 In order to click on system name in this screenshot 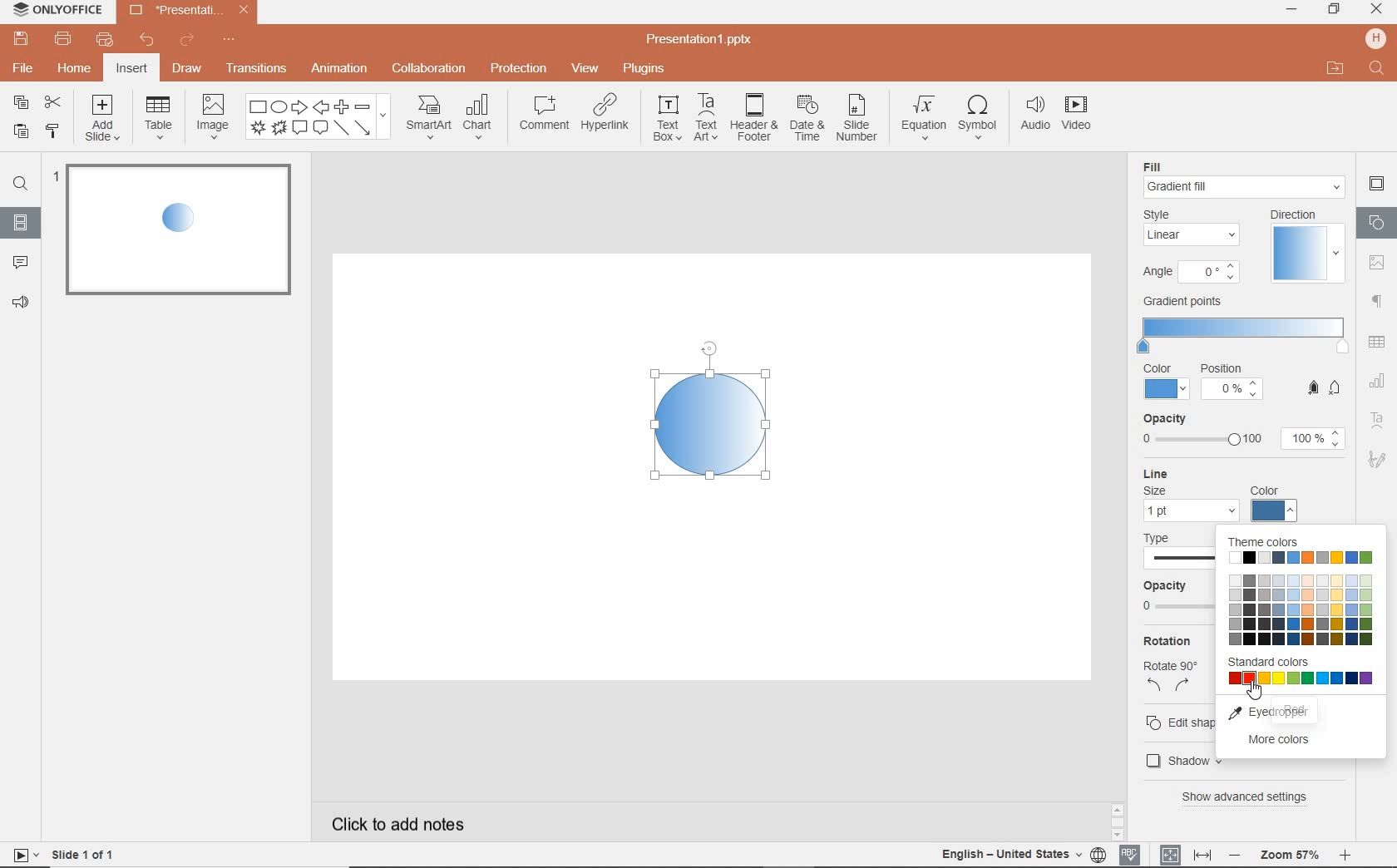, I will do `click(55, 11)`.